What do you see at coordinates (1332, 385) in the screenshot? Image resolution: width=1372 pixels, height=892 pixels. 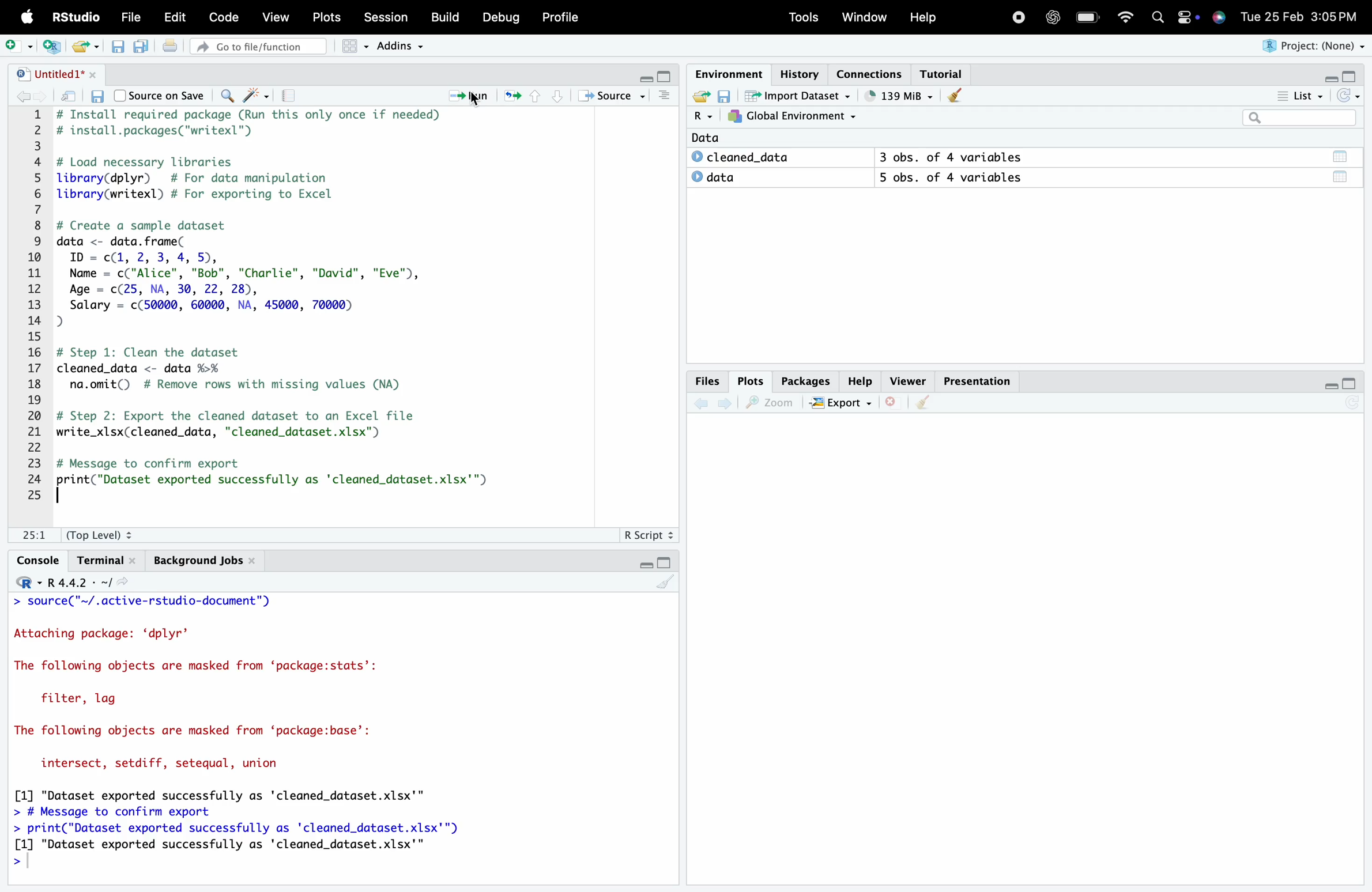 I see `Minimize` at bounding box center [1332, 385].